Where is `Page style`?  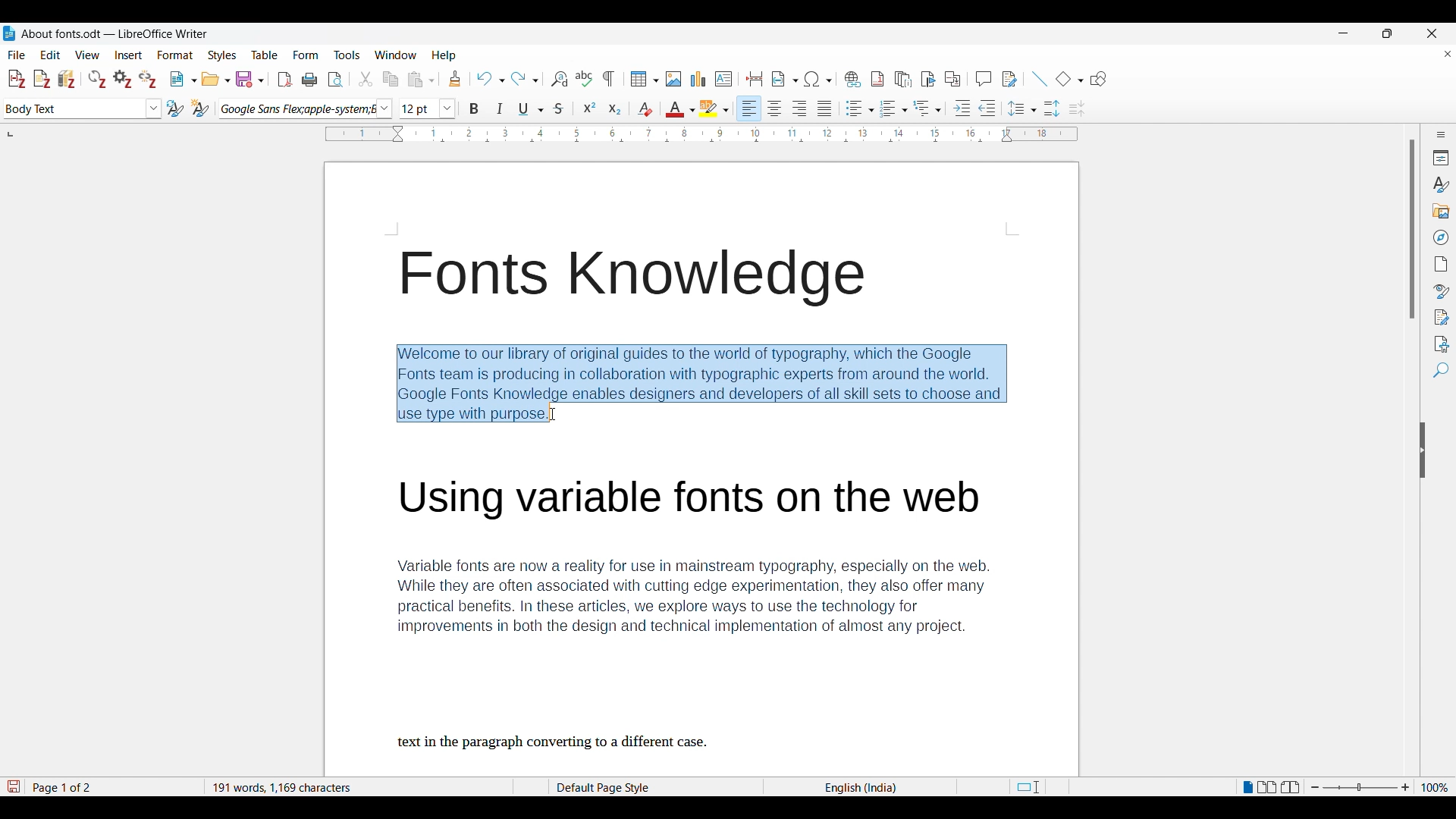 Page style is located at coordinates (627, 787).